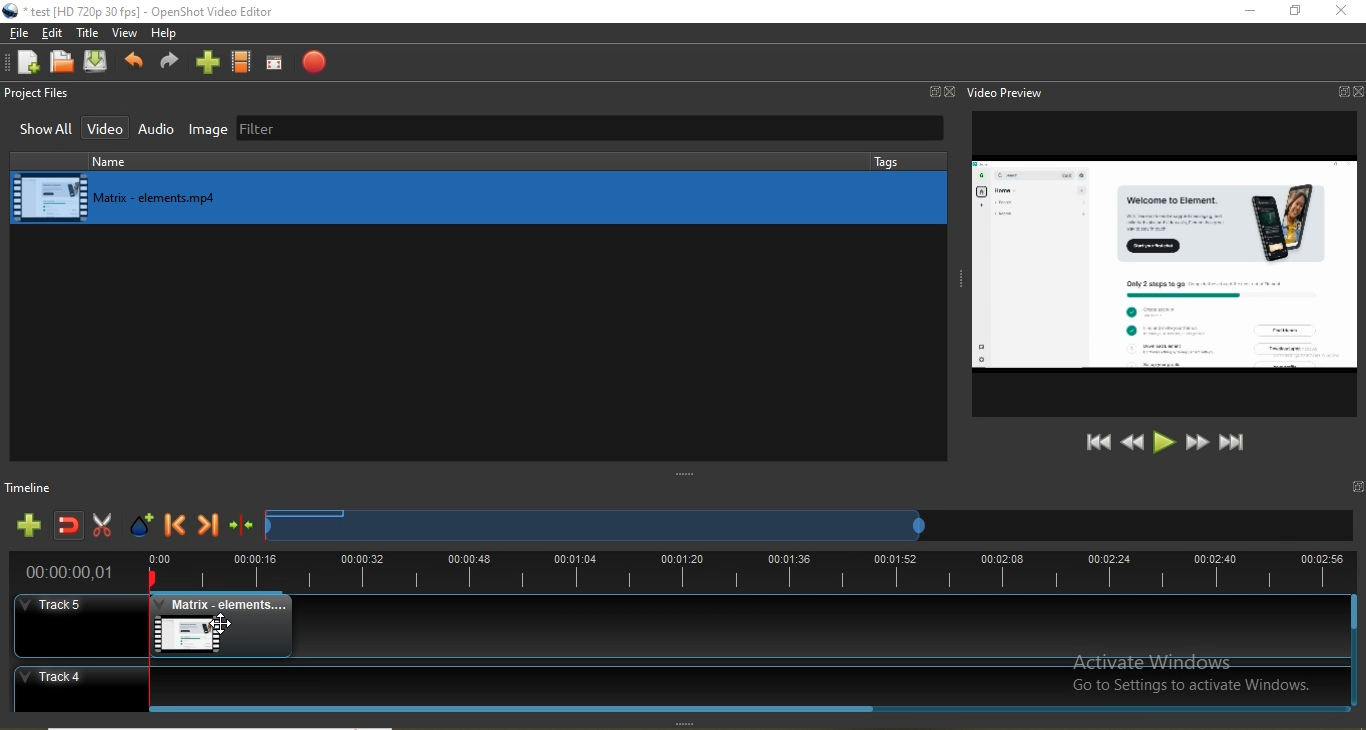 The image size is (1366, 730). I want to click on Open project, so click(63, 61).